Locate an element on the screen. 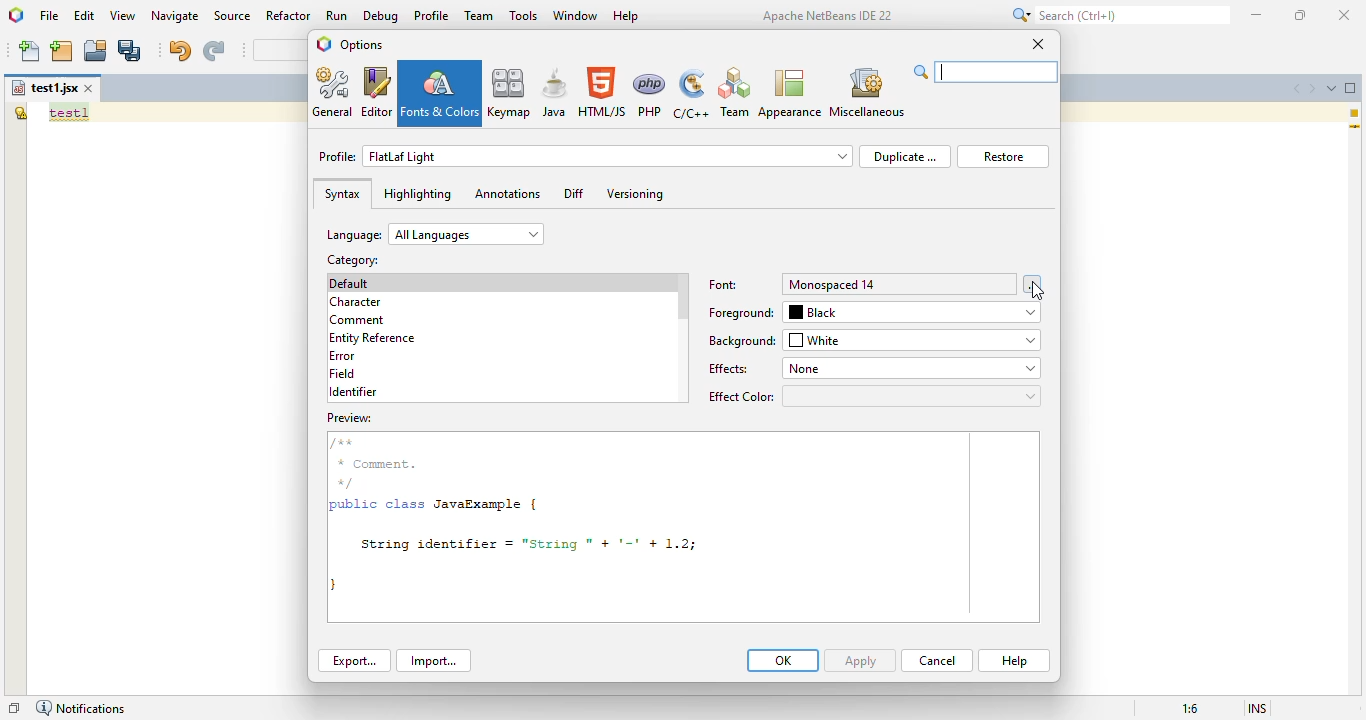 The width and height of the screenshot is (1366, 720). the global variable "test1" is not declared. is located at coordinates (20, 112).